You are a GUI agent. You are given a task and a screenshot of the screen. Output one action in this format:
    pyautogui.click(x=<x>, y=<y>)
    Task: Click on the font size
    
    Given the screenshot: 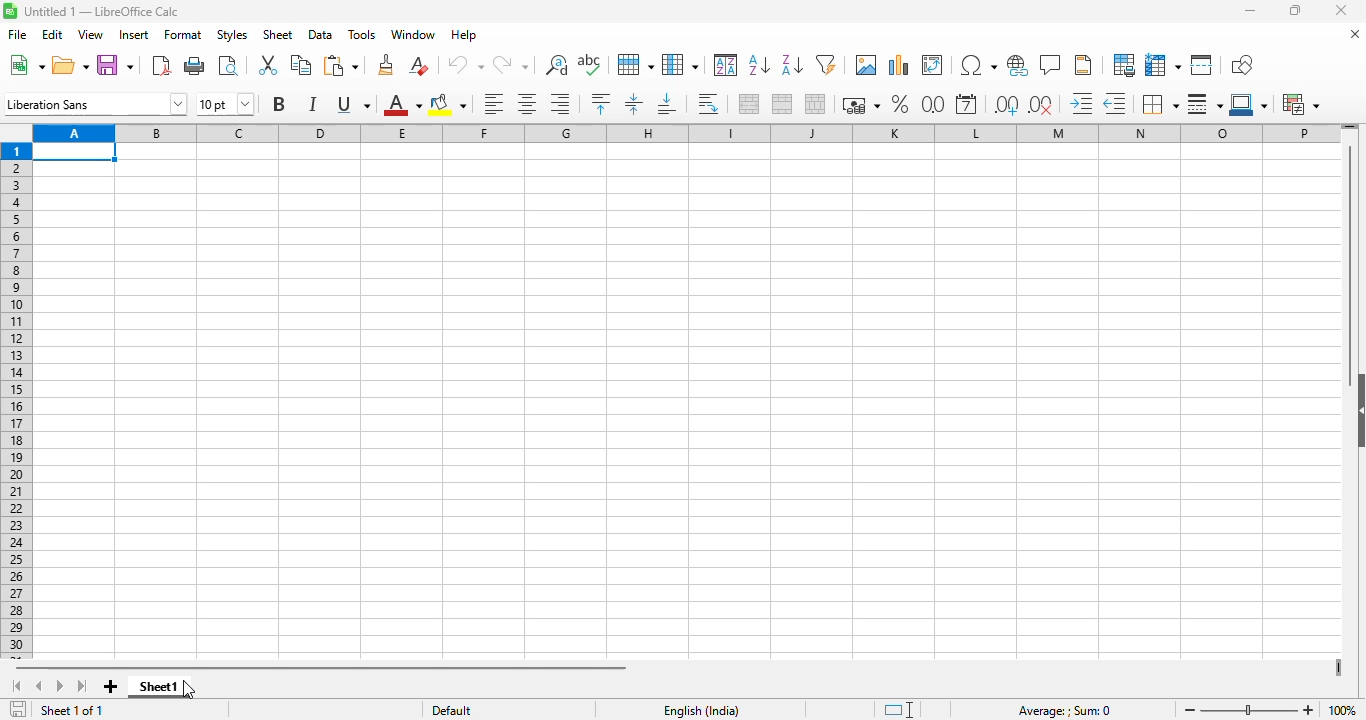 What is the action you would take?
    pyautogui.click(x=225, y=104)
    